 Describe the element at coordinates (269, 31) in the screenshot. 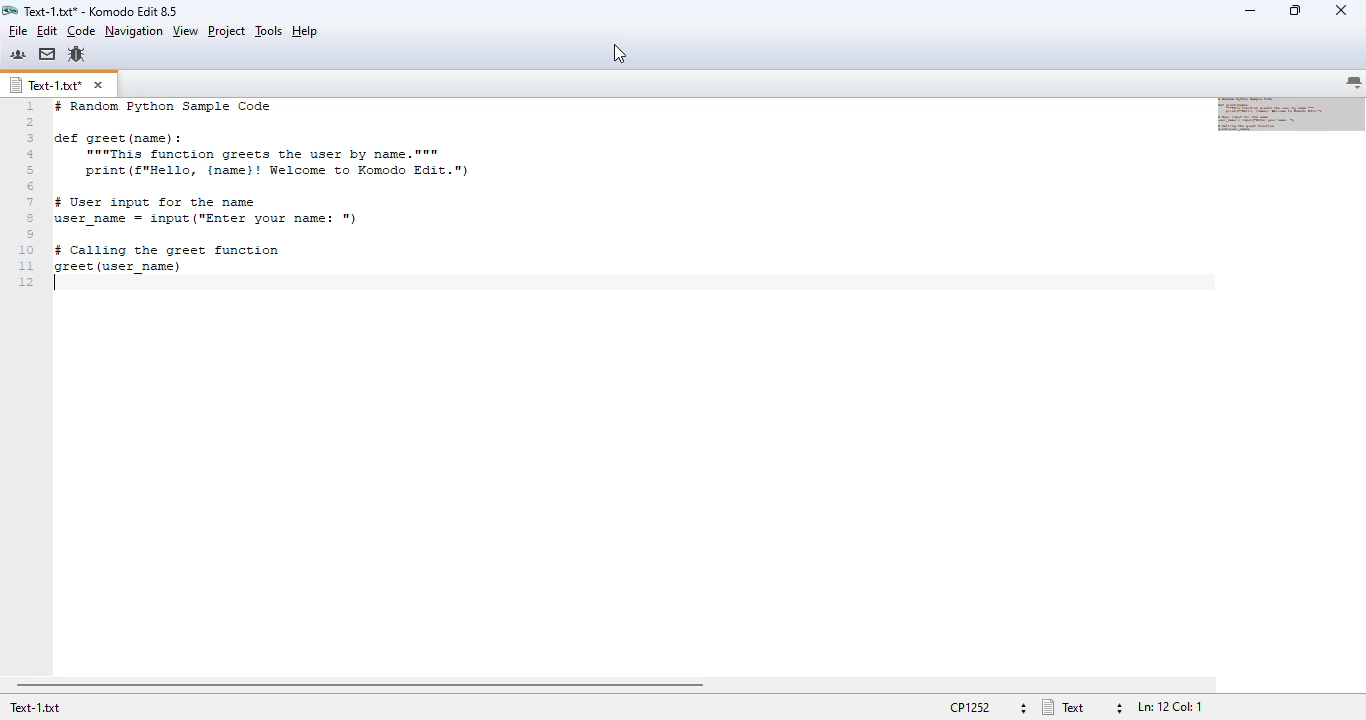

I see `tools` at that location.